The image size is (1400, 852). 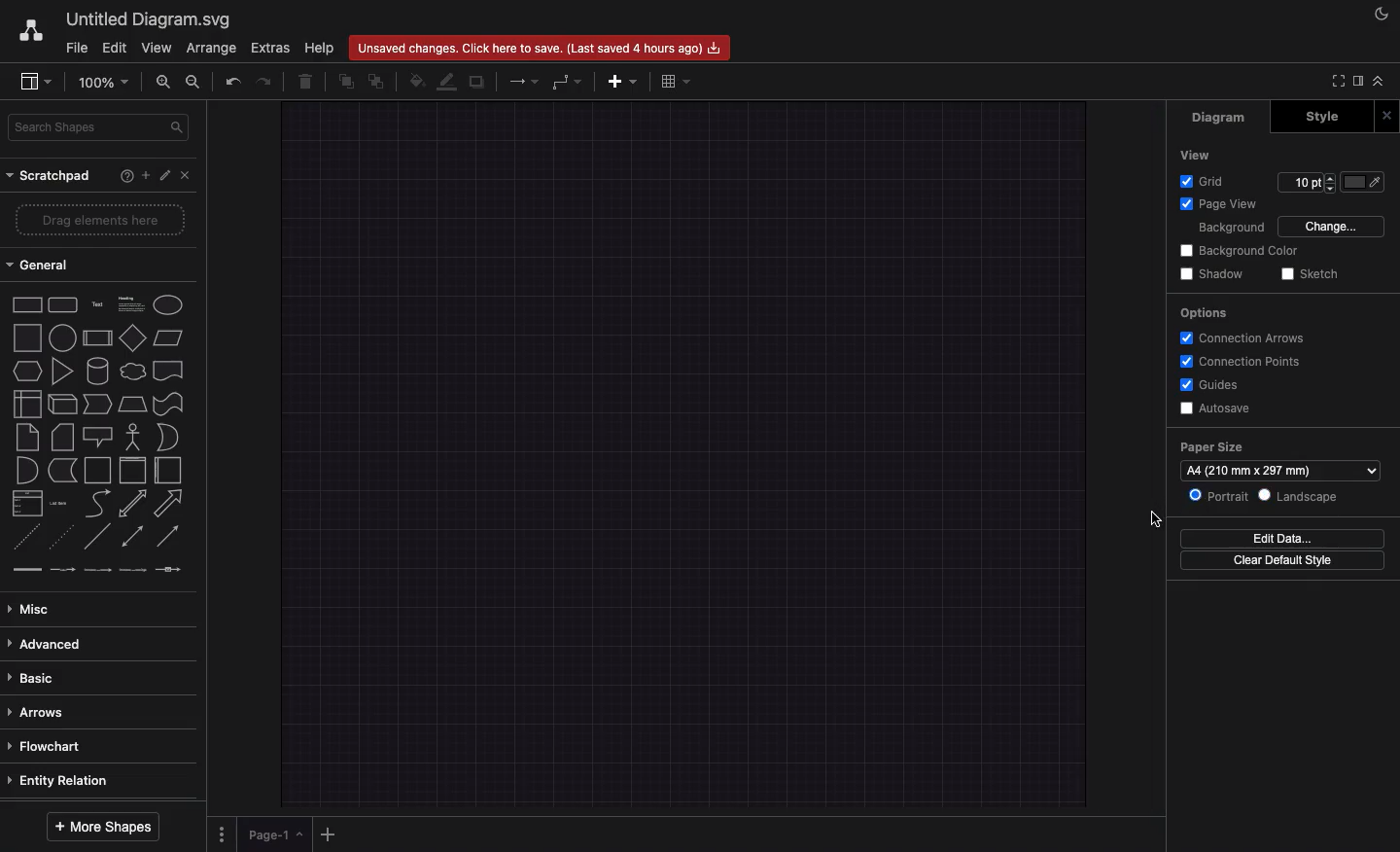 What do you see at coordinates (100, 438) in the screenshot?
I see `Shapes` at bounding box center [100, 438].